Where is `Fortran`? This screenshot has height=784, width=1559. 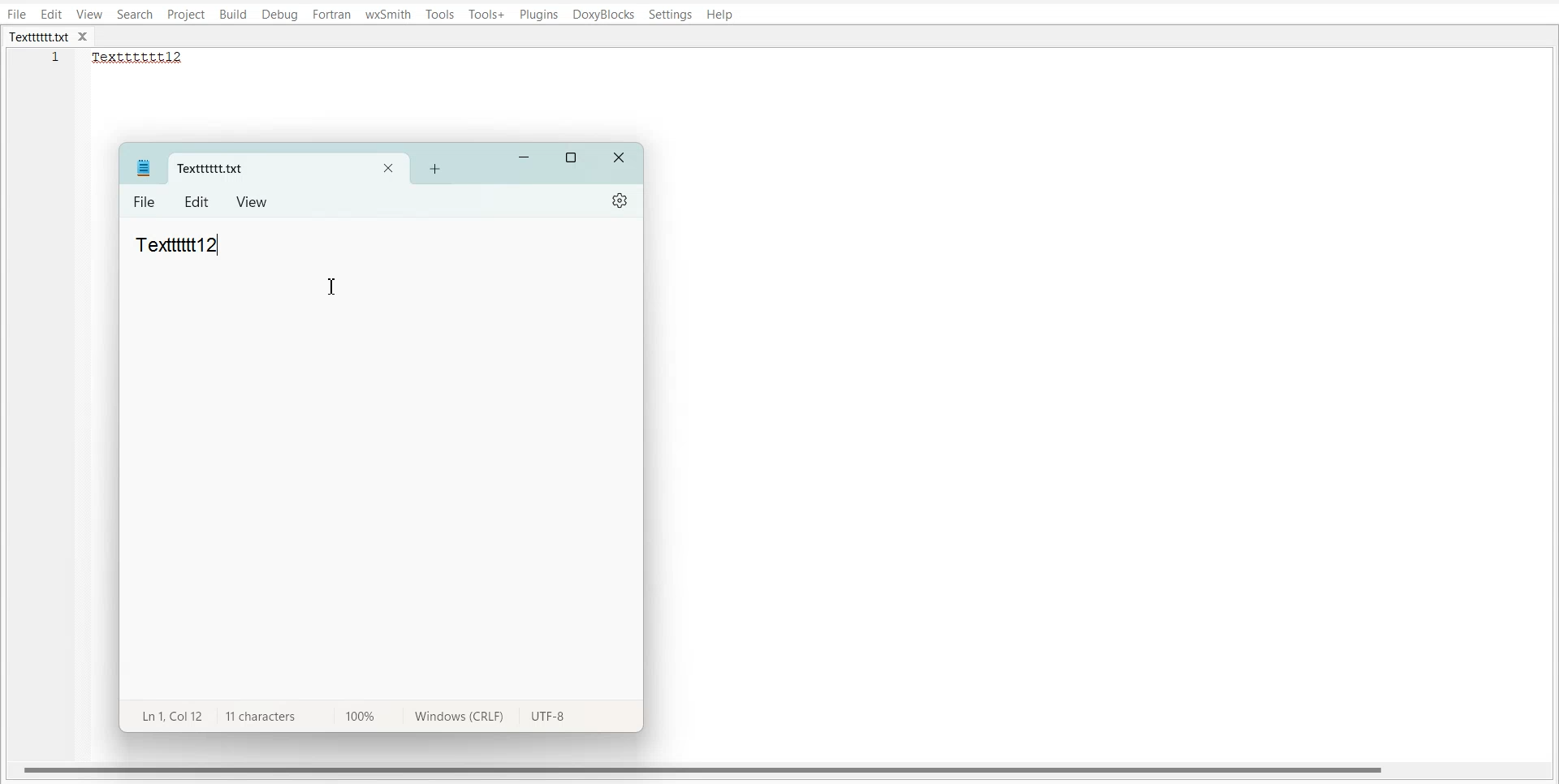 Fortran is located at coordinates (331, 15).